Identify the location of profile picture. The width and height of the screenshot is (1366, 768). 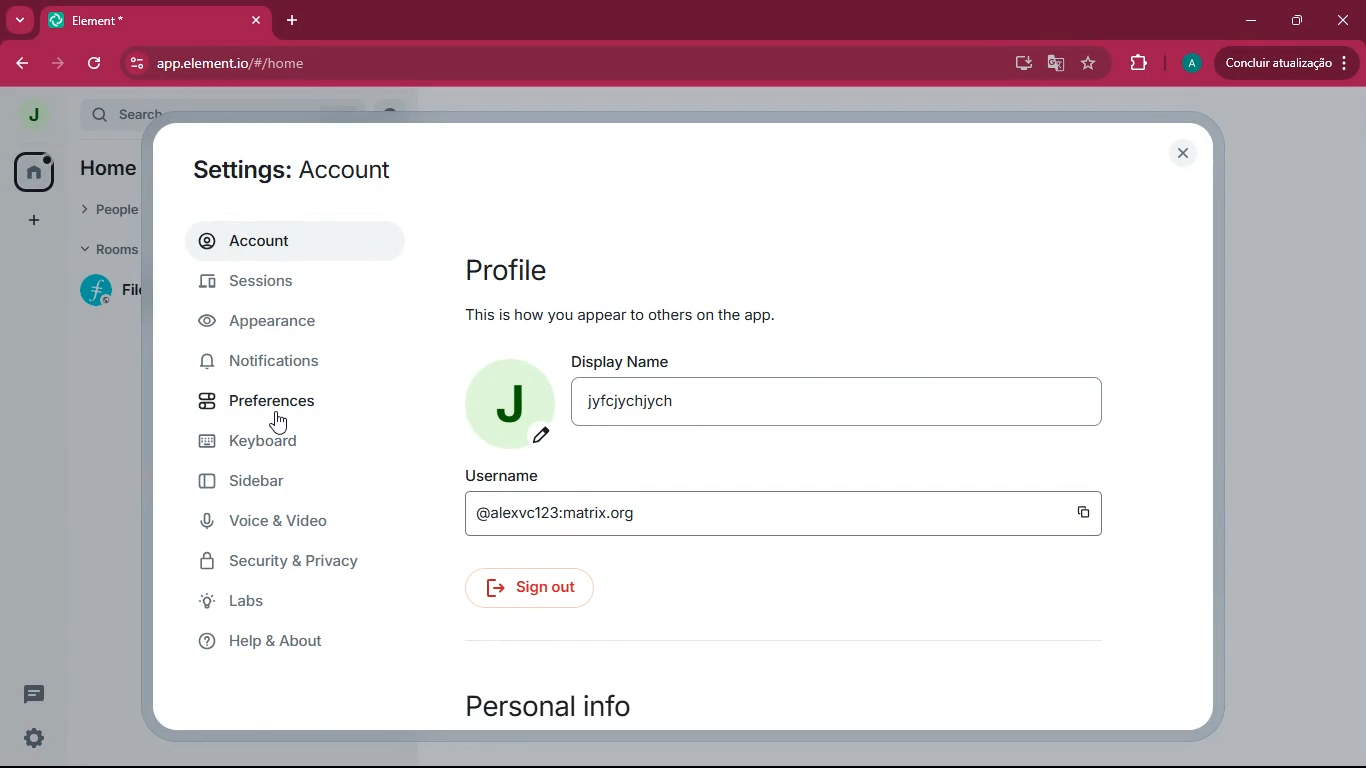
(36, 116).